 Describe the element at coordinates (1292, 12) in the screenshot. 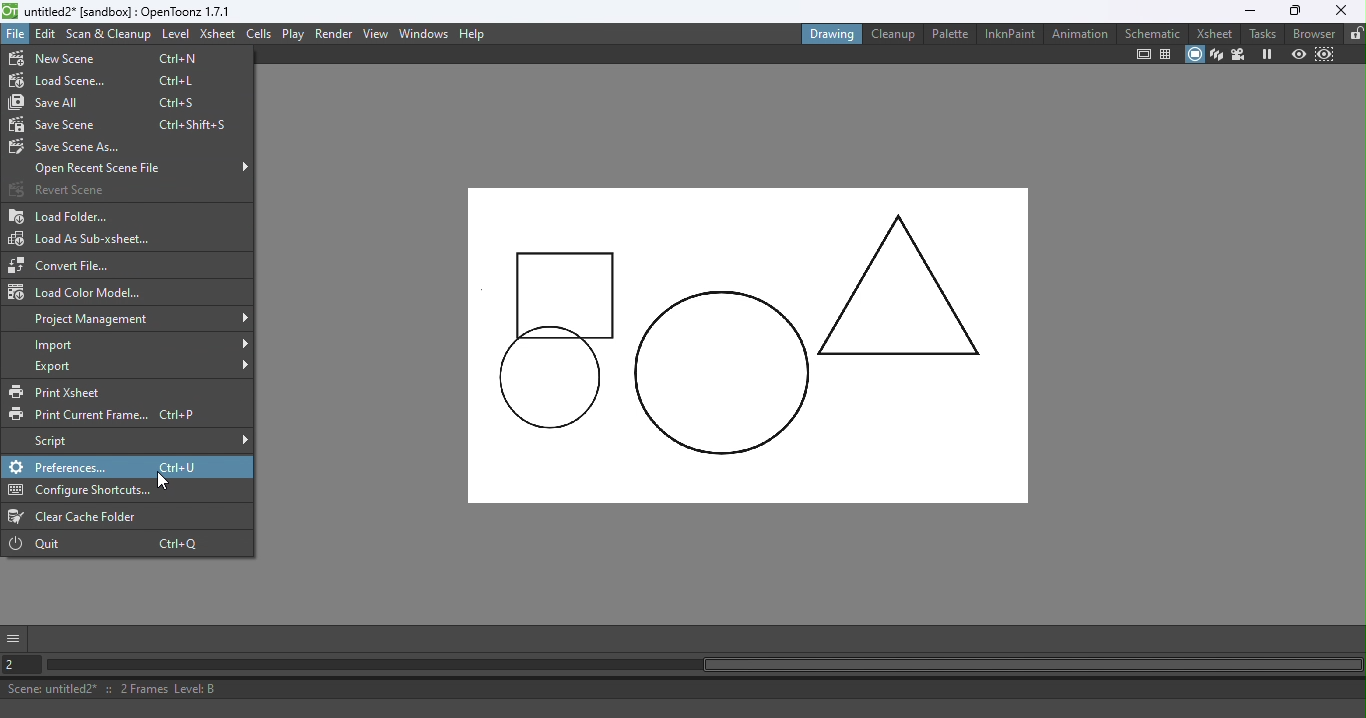

I see `Maximize` at that location.